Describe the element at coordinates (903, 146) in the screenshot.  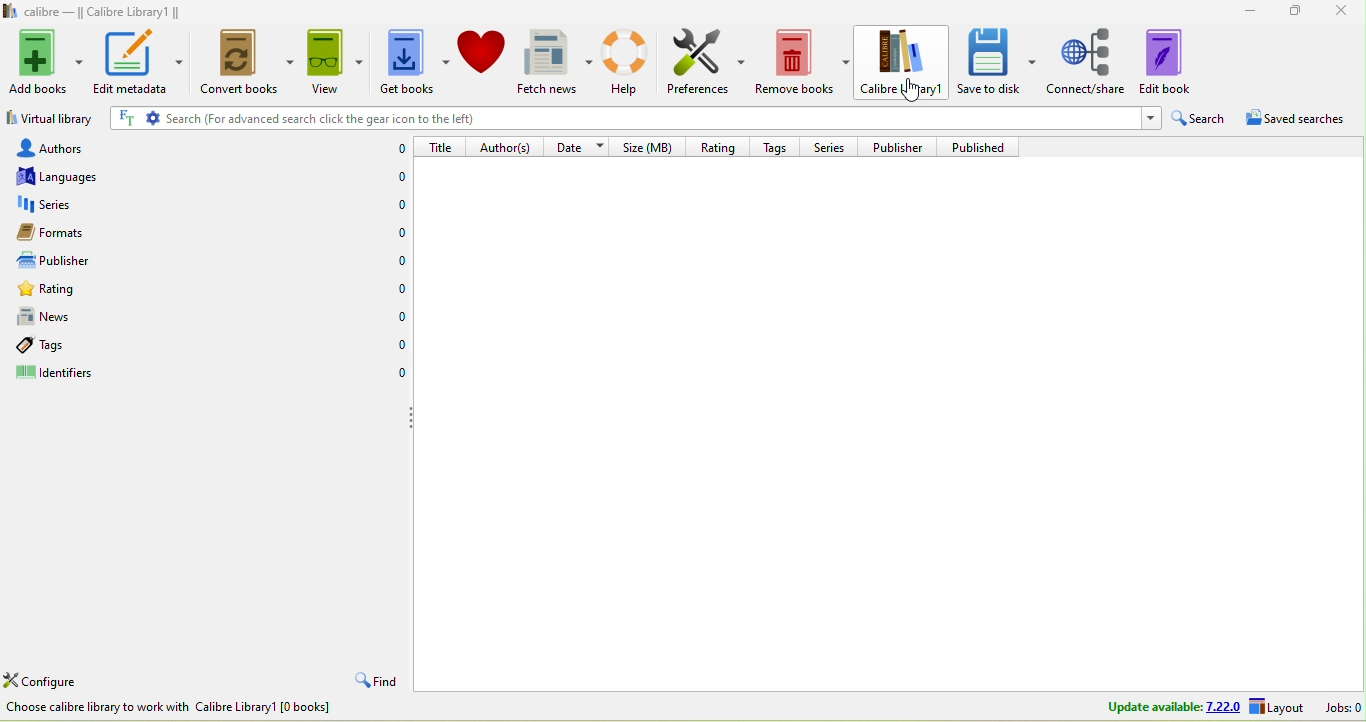
I see `publisher` at that location.